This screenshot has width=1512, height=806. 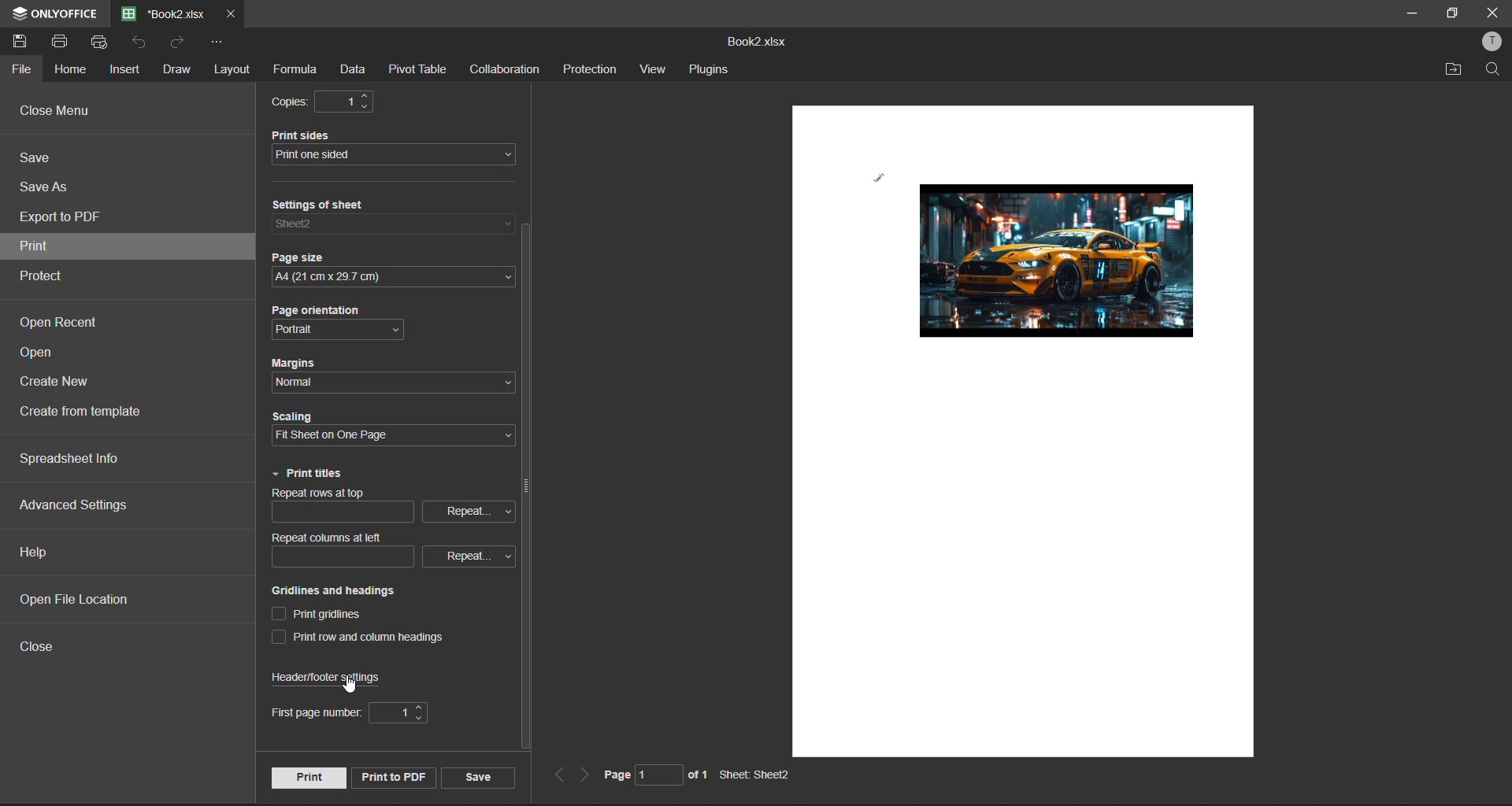 What do you see at coordinates (235, 70) in the screenshot?
I see `layout` at bounding box center [235, 70].